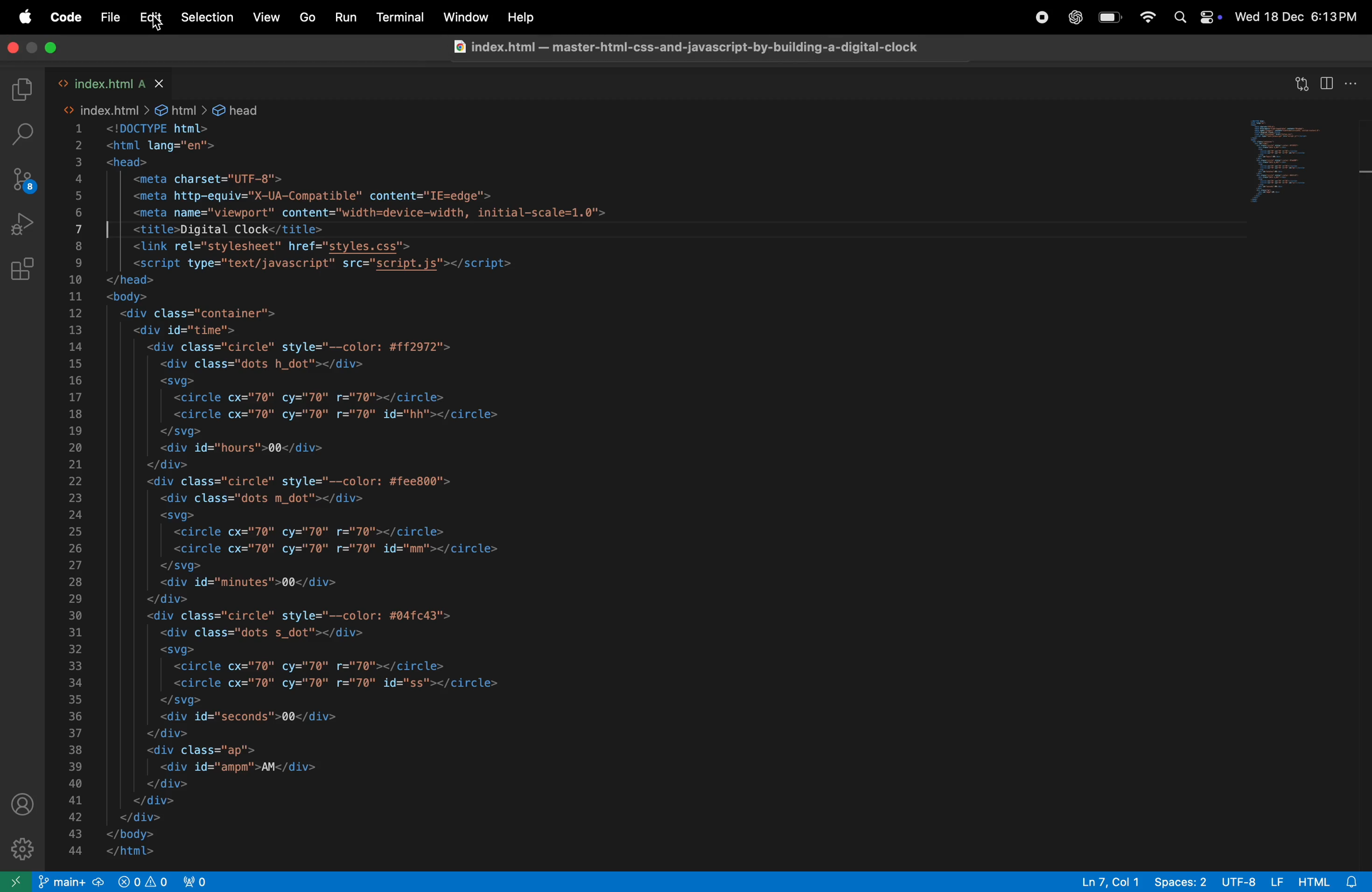 This screenshot has height=892, width=1372. Describe the element at coordinates (70, 17) in the screenshot. I see `code` at that location.